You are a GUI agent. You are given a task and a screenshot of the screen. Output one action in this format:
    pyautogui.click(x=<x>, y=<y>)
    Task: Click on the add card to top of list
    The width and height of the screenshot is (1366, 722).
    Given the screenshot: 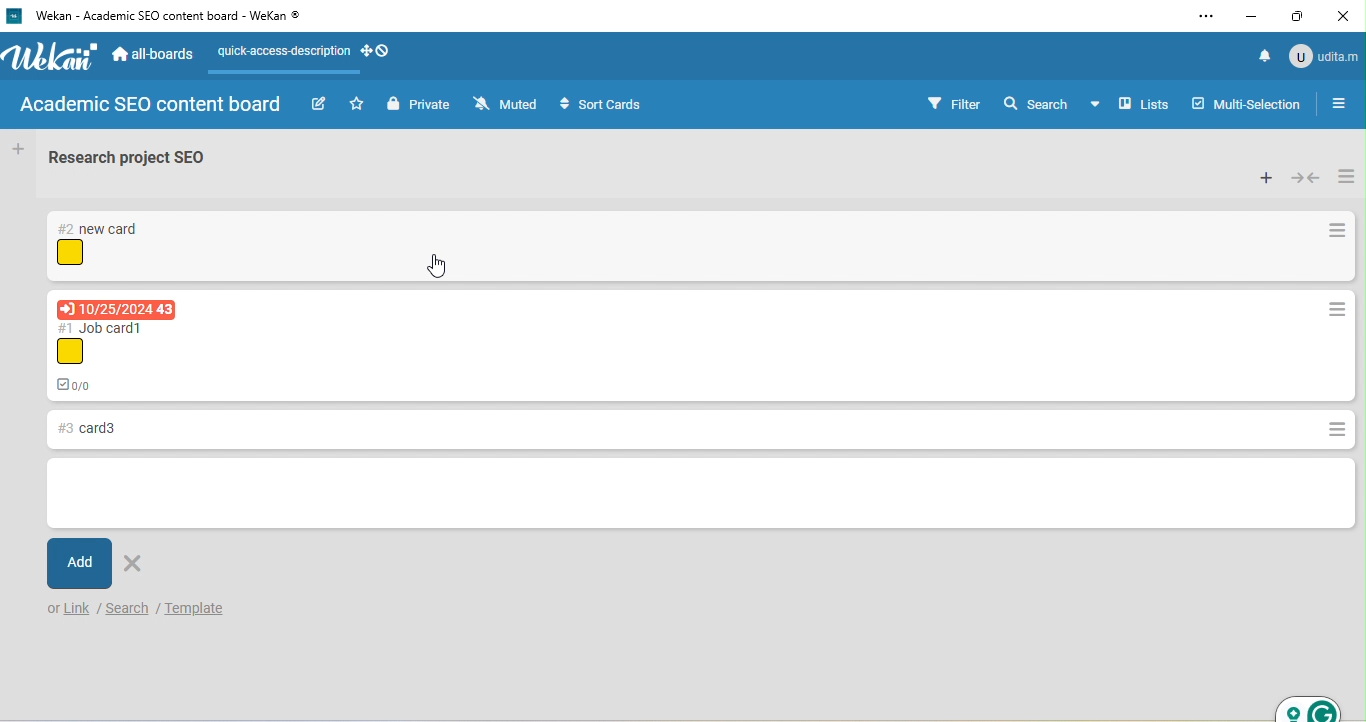 What is the action you would take?
    pyautogui.click(x=1265, y=178)
    